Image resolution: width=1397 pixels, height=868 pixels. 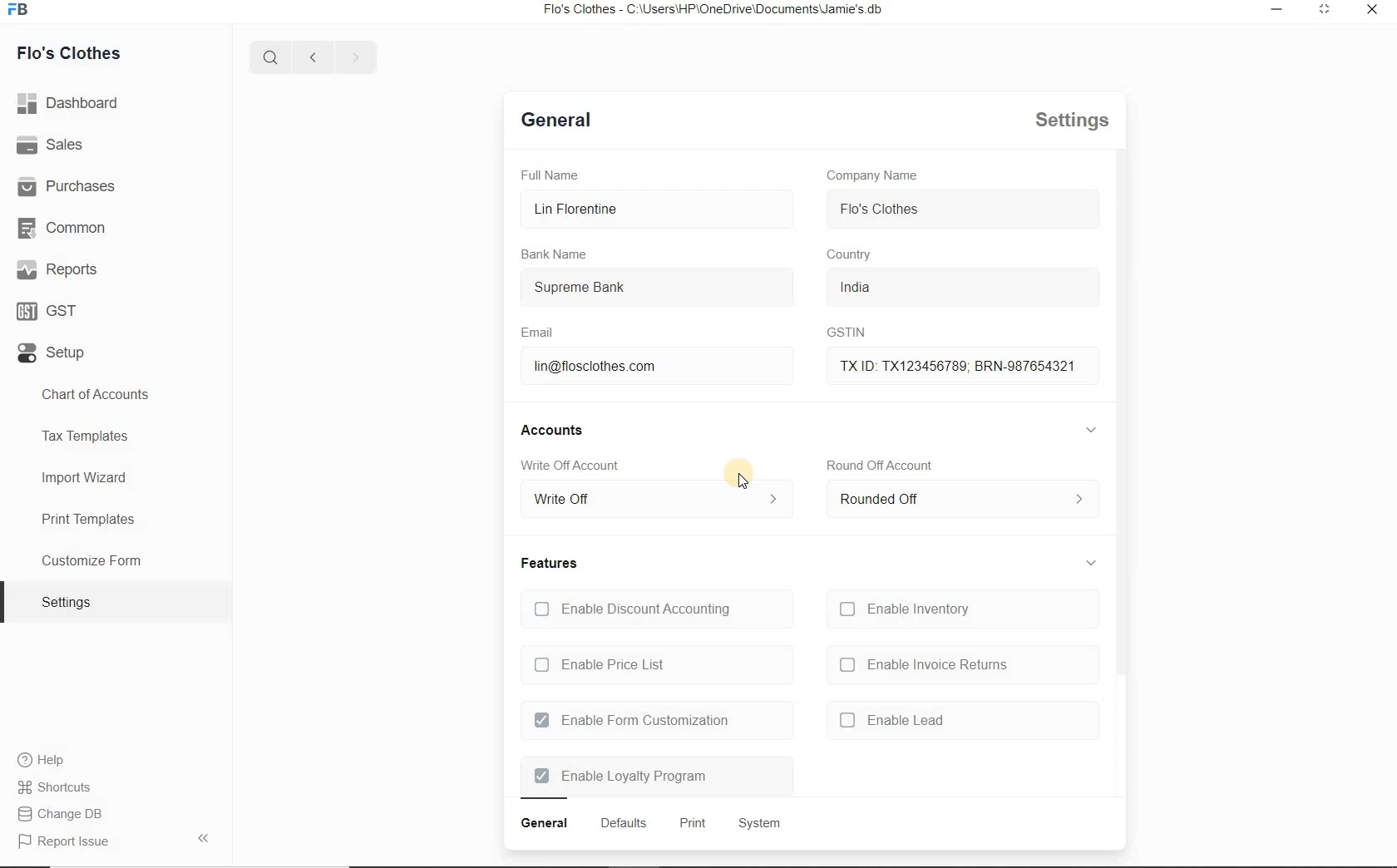 I want to click on lin@flosclothes.com, so click(x=656, y=367).